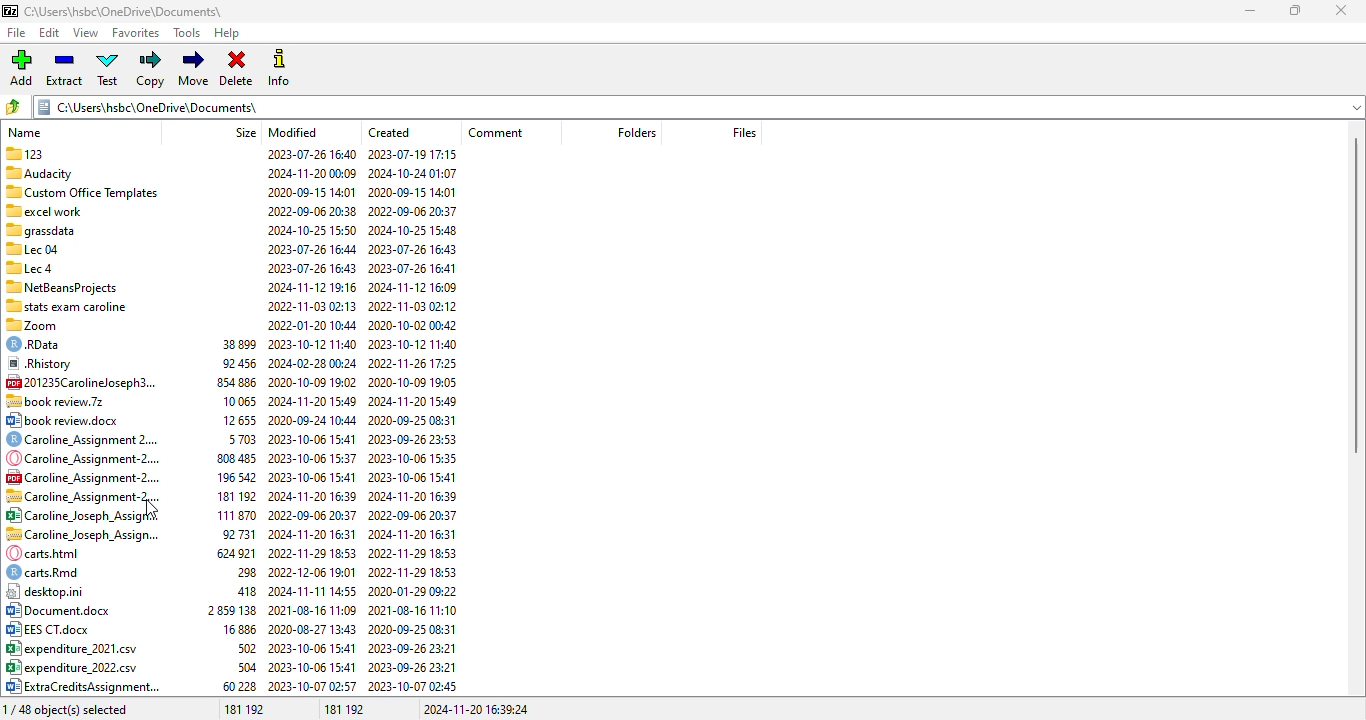  What do you see at coordinates (230, 325) in the screenshot?
I see `208 Zoom 2022-01-20 10:44 2020-10-02 00:42` at bounding box center [230, 325].